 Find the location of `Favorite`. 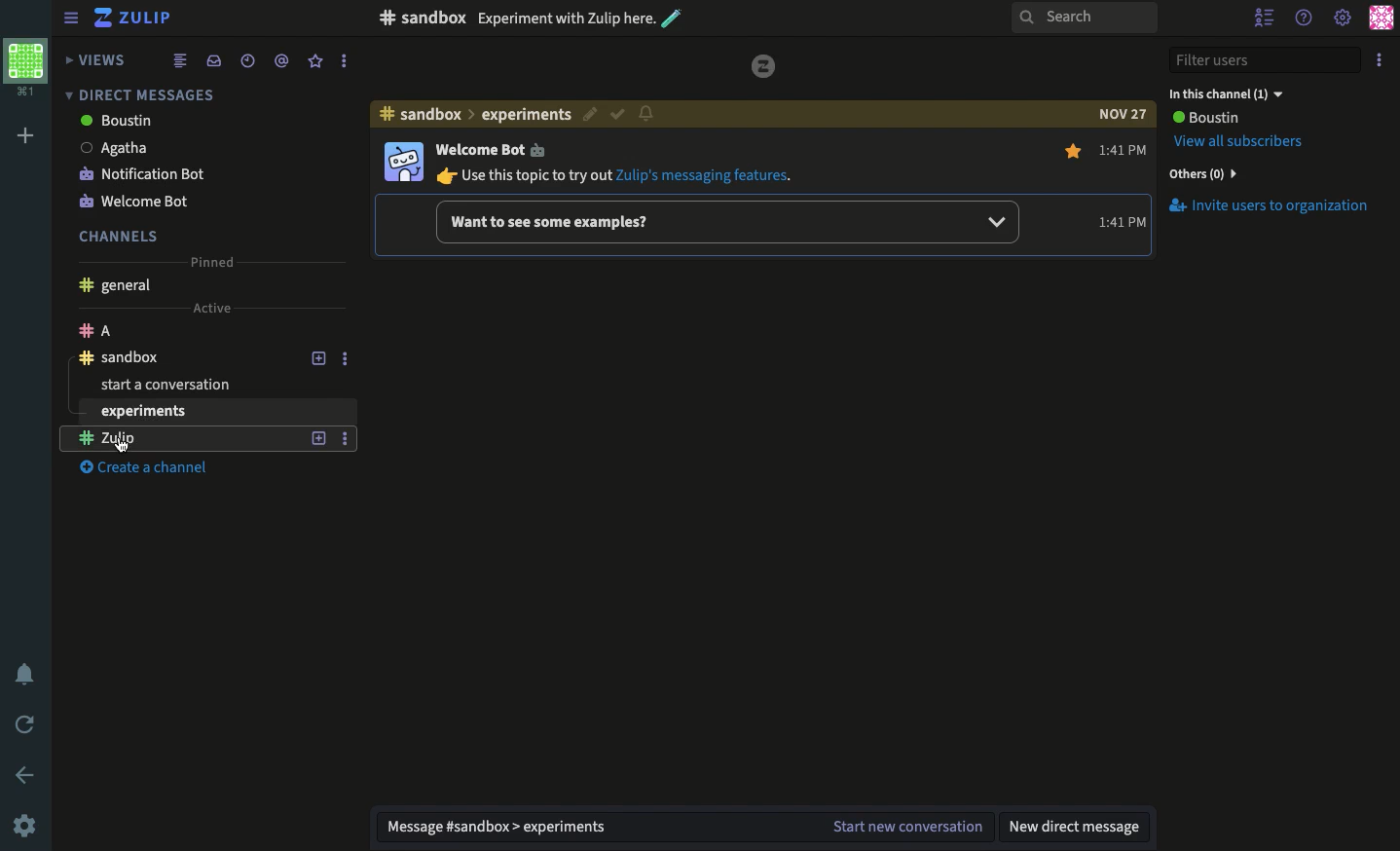

Favorite is located at coordinates (1075, 152).